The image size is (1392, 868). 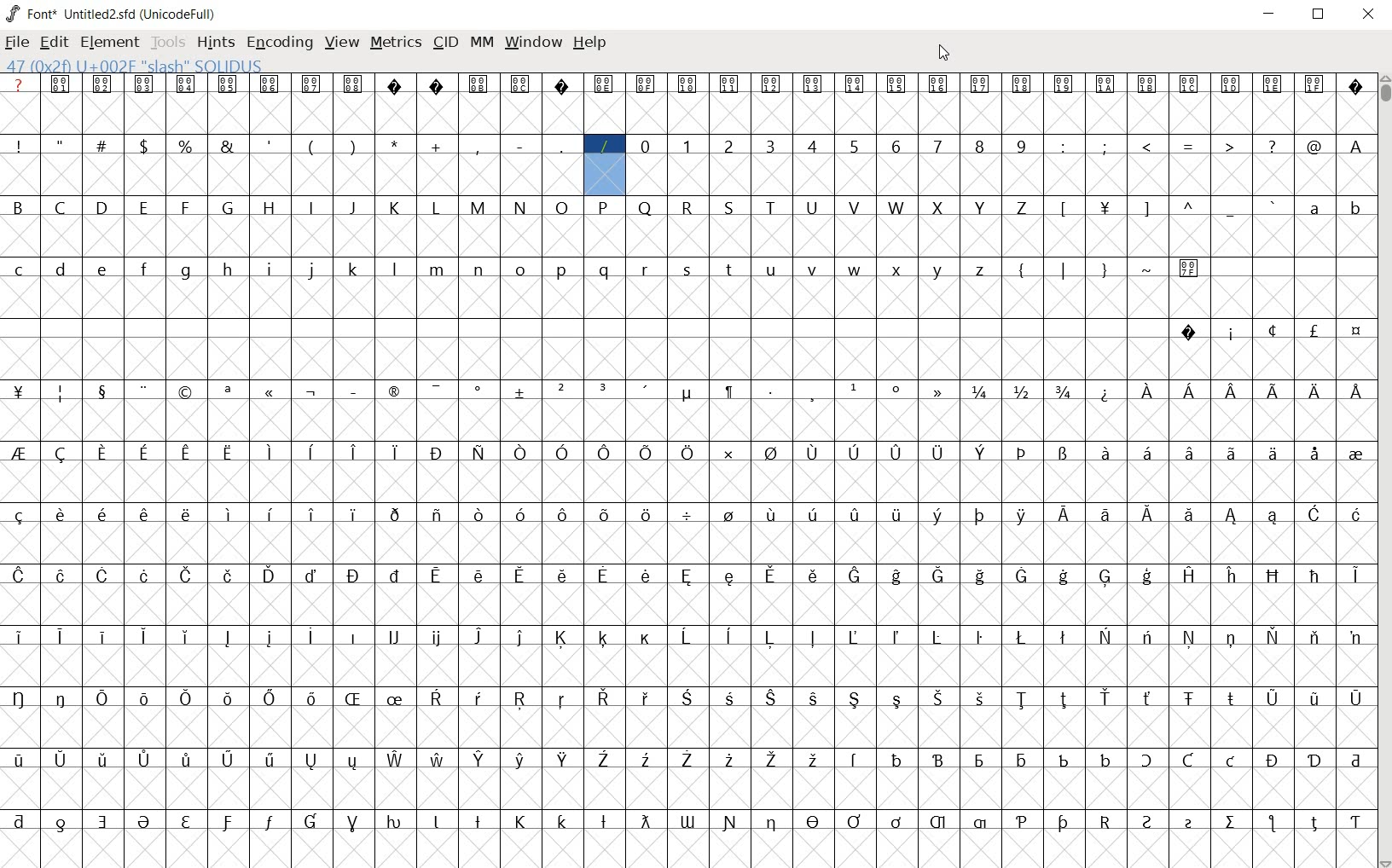 What do you see at coordinates (355, 637) in the screenshot?
I see `glyph` at bounding box center [355, 637].